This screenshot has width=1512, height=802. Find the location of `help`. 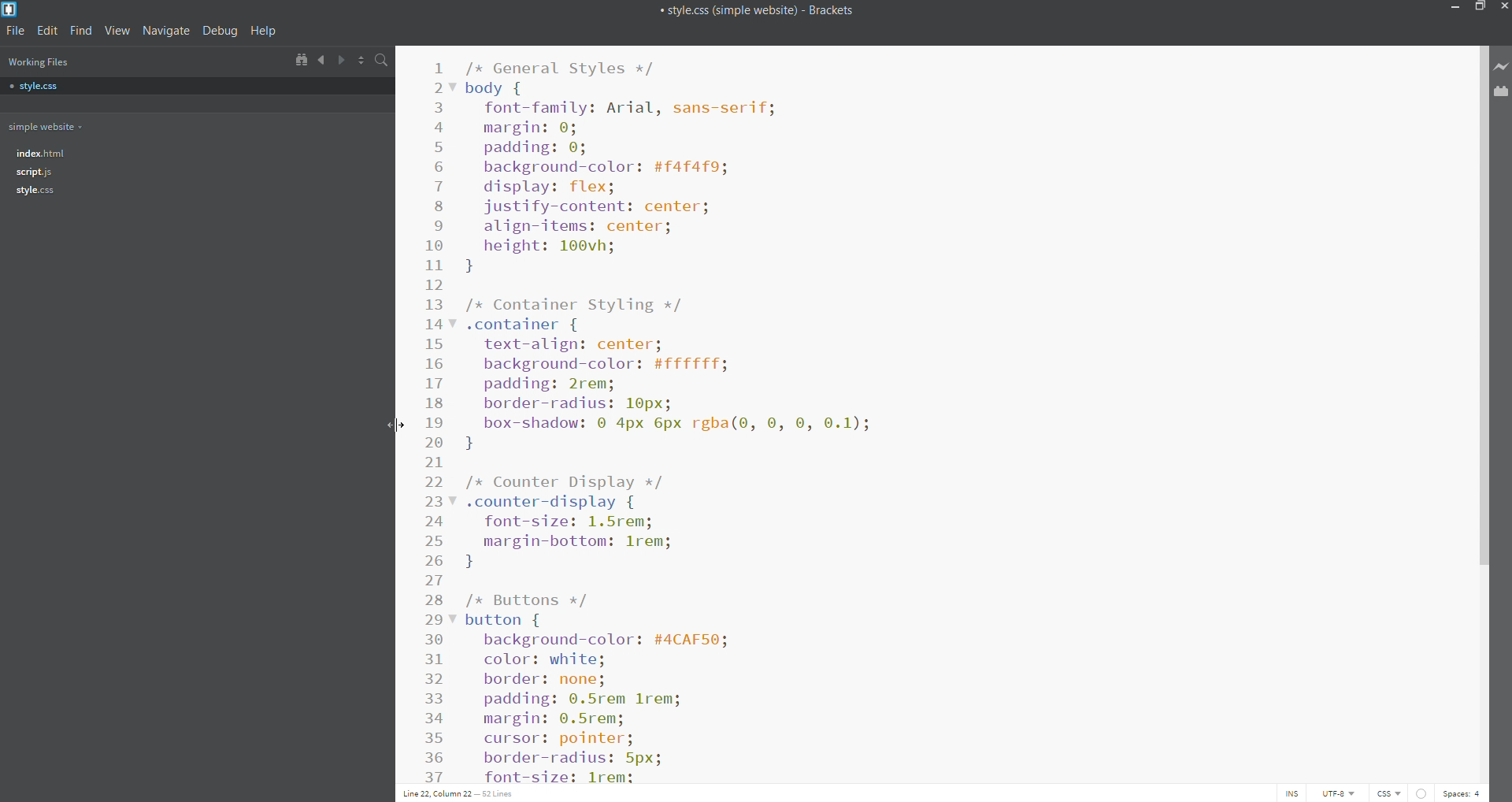

help is located at coordinates (263, 31).